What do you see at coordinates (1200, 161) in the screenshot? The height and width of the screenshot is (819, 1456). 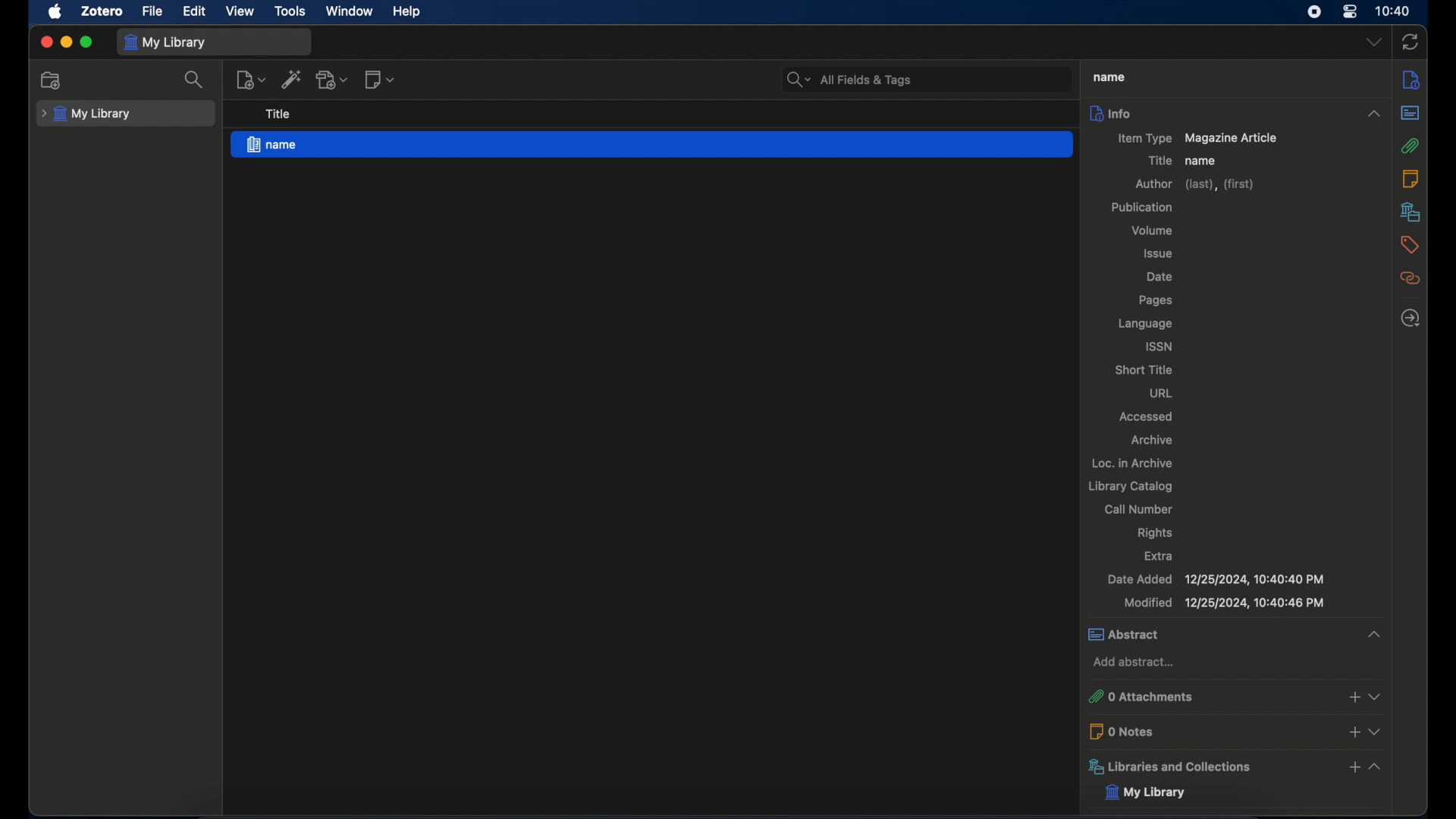 I see `name` at bounding box center [1200, 161].